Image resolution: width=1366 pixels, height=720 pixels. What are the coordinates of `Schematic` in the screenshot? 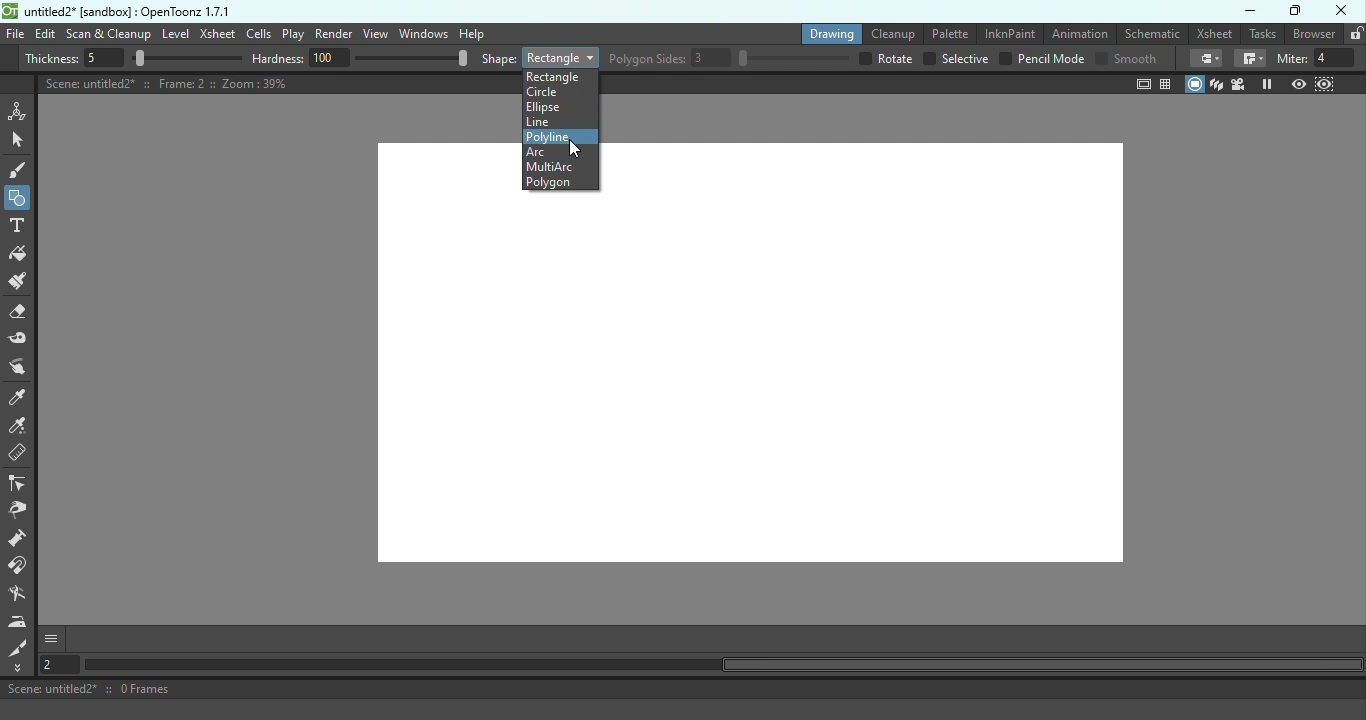 It's located at (1151, 32).